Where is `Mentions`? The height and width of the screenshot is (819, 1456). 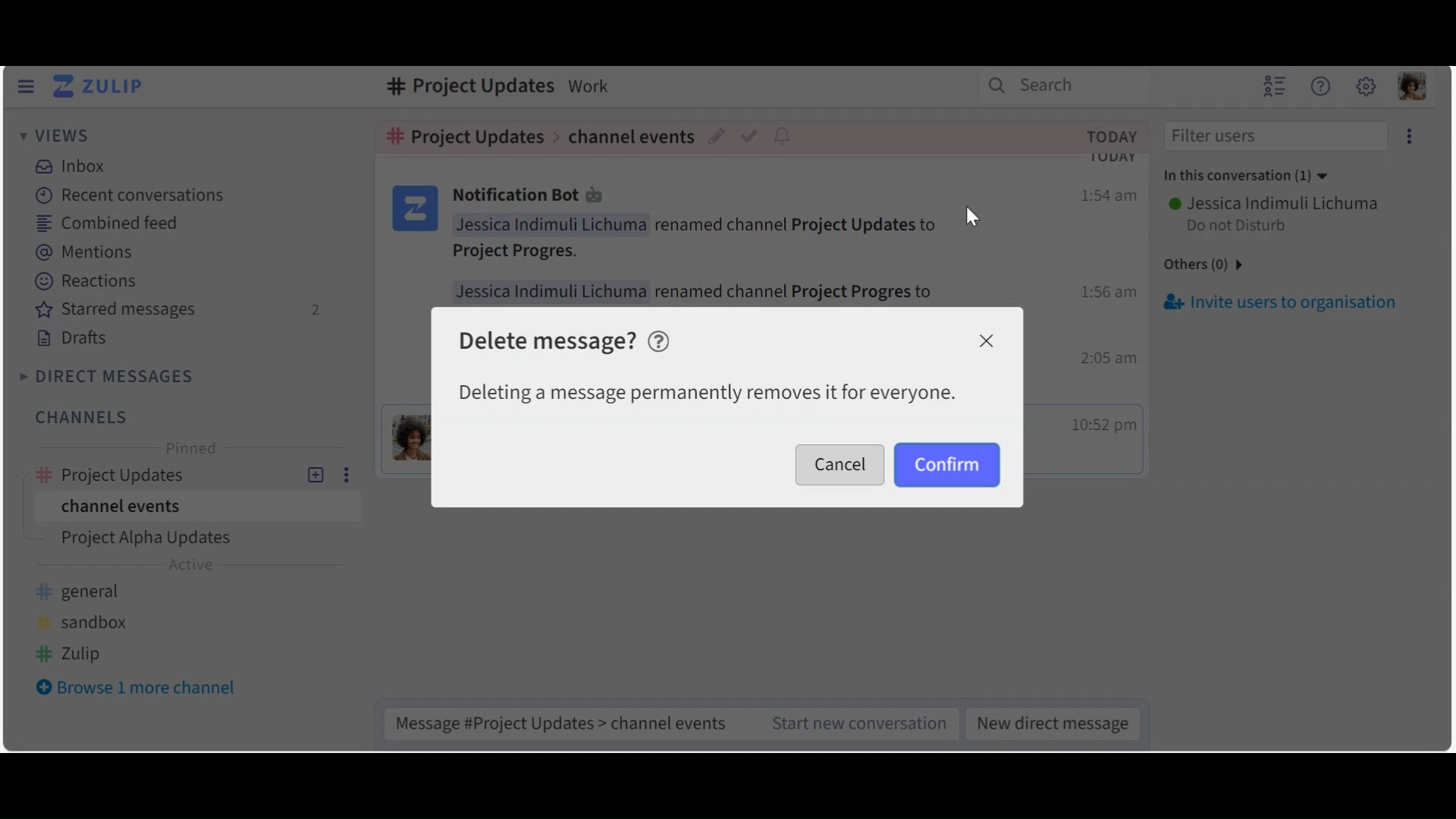 Mentions is located at coordinates (88, 252).